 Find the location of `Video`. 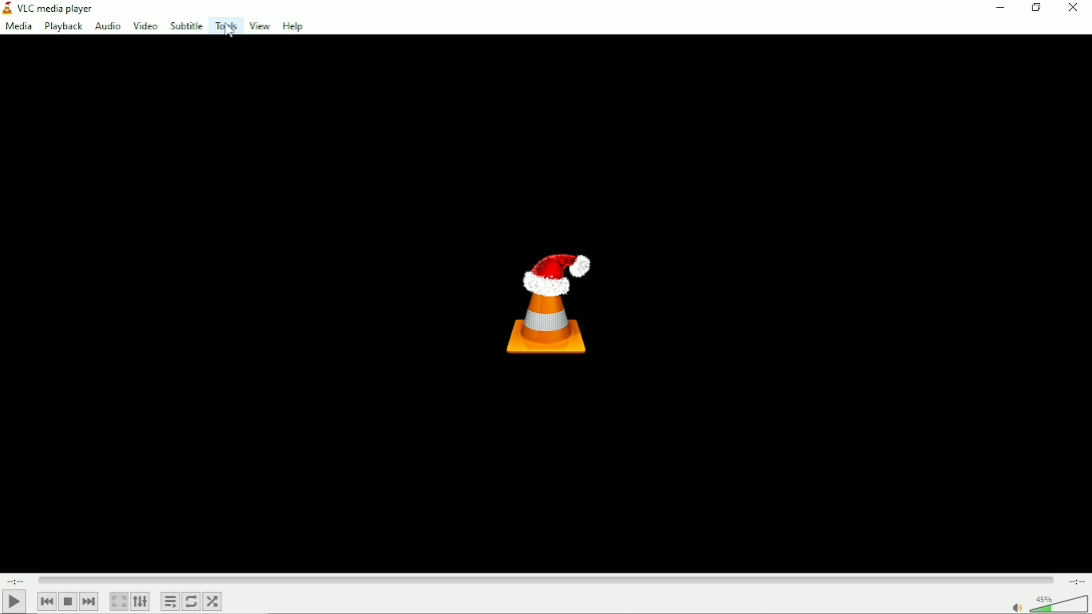

Video is located at coordinates (145, 25).